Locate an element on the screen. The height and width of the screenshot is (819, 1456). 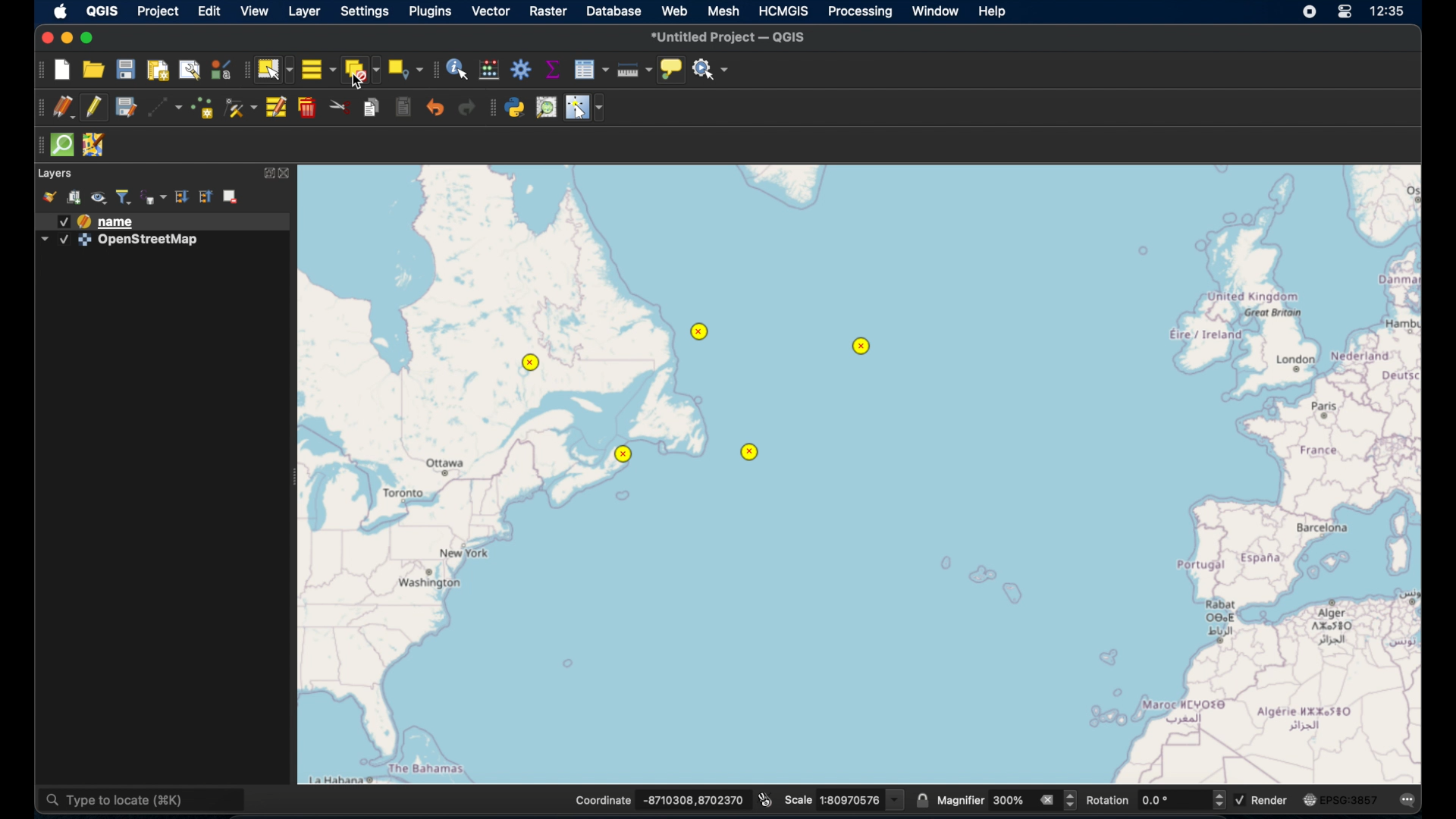
toggle editing is located at coordinates (96, 109).